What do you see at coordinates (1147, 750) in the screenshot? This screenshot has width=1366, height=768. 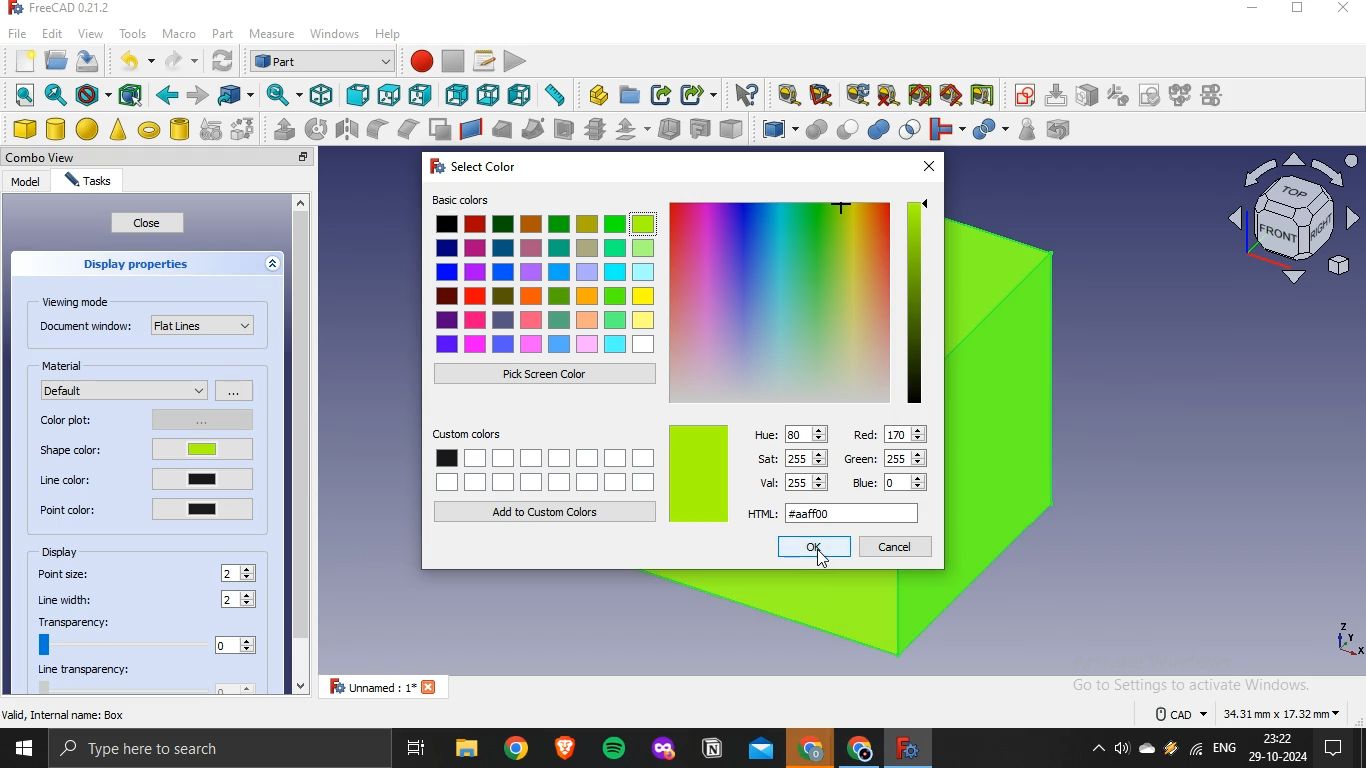 I see `onedrive` at bounding box center [1147, 750].